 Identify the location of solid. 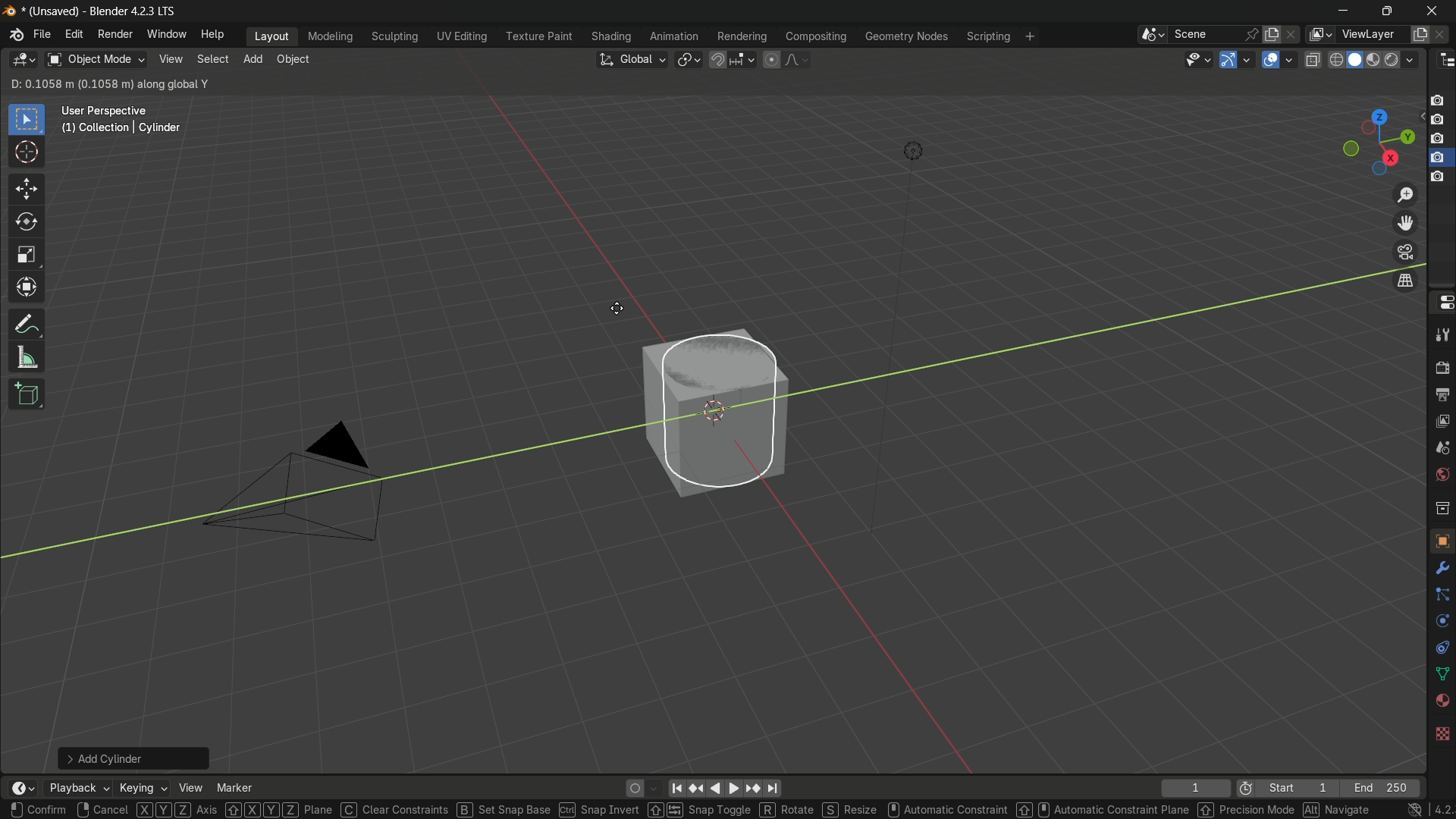
(1356, 61).